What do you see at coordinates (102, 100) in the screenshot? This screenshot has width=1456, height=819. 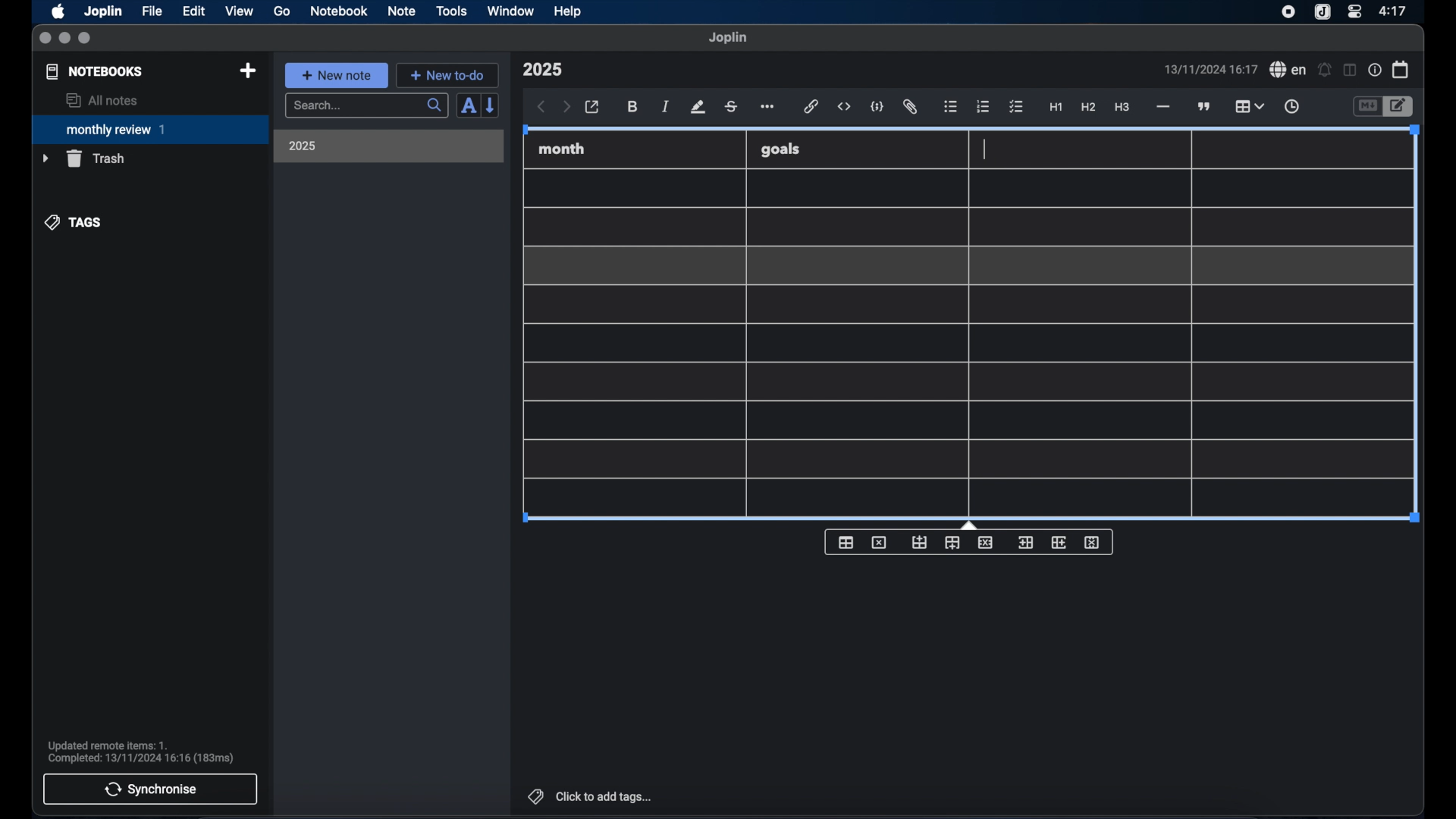 I see `all notes` at bounding box center [102, 100].